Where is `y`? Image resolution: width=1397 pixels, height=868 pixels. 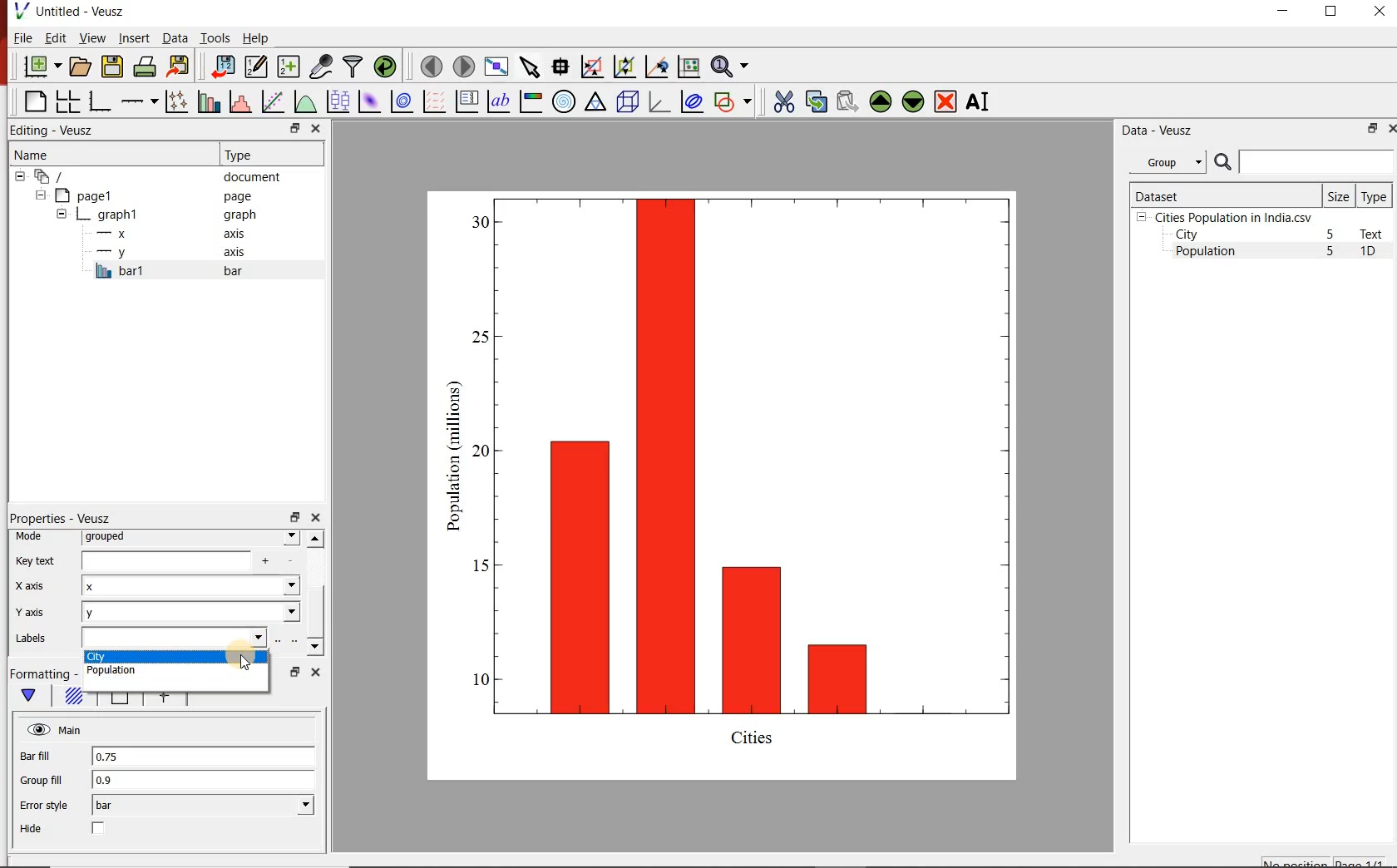
y is located at coordinates (191, 613).